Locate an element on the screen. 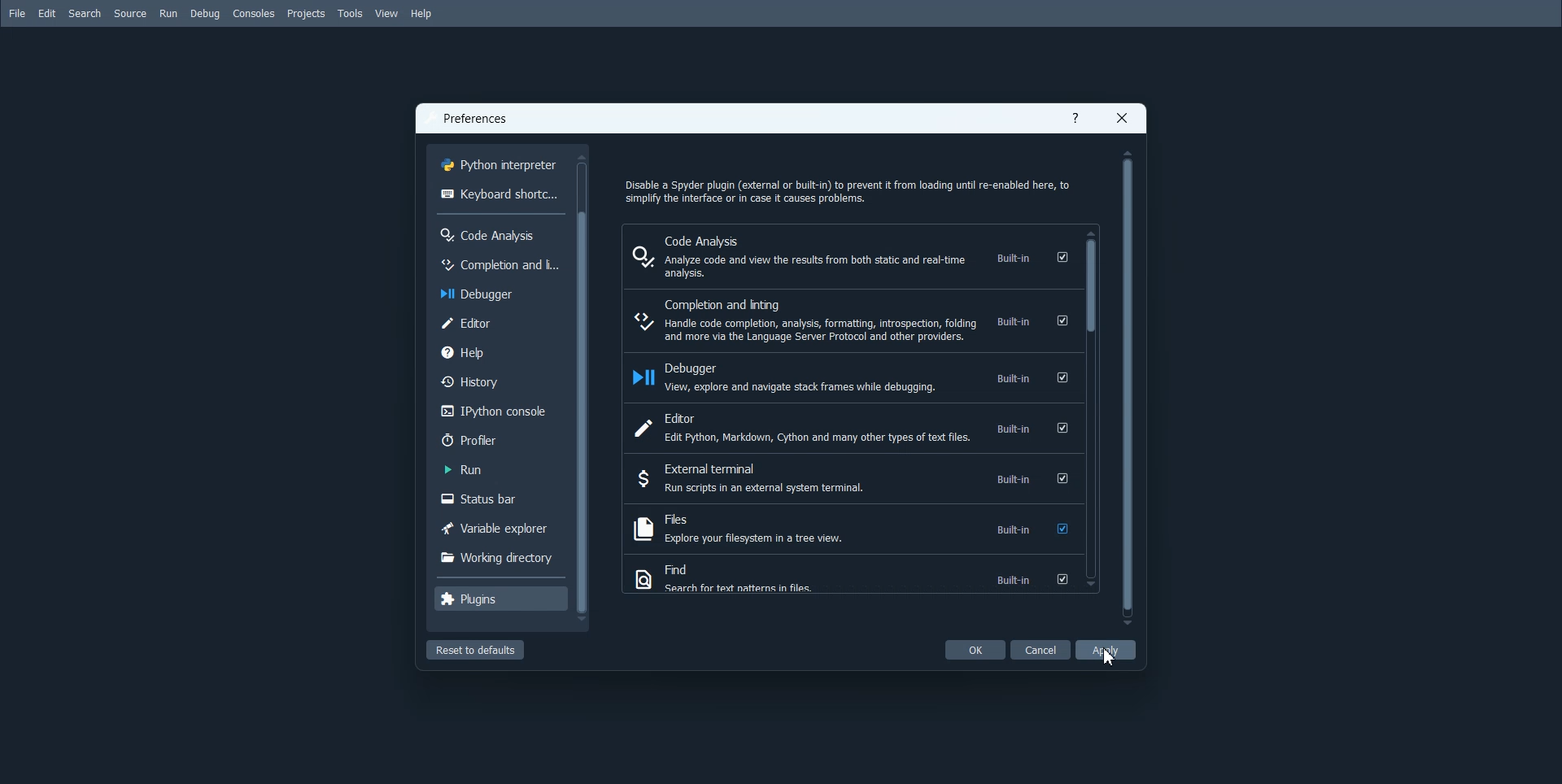 This screenshot has height=784, width=1562. Variable explorer is located at coordinates (498, 527).